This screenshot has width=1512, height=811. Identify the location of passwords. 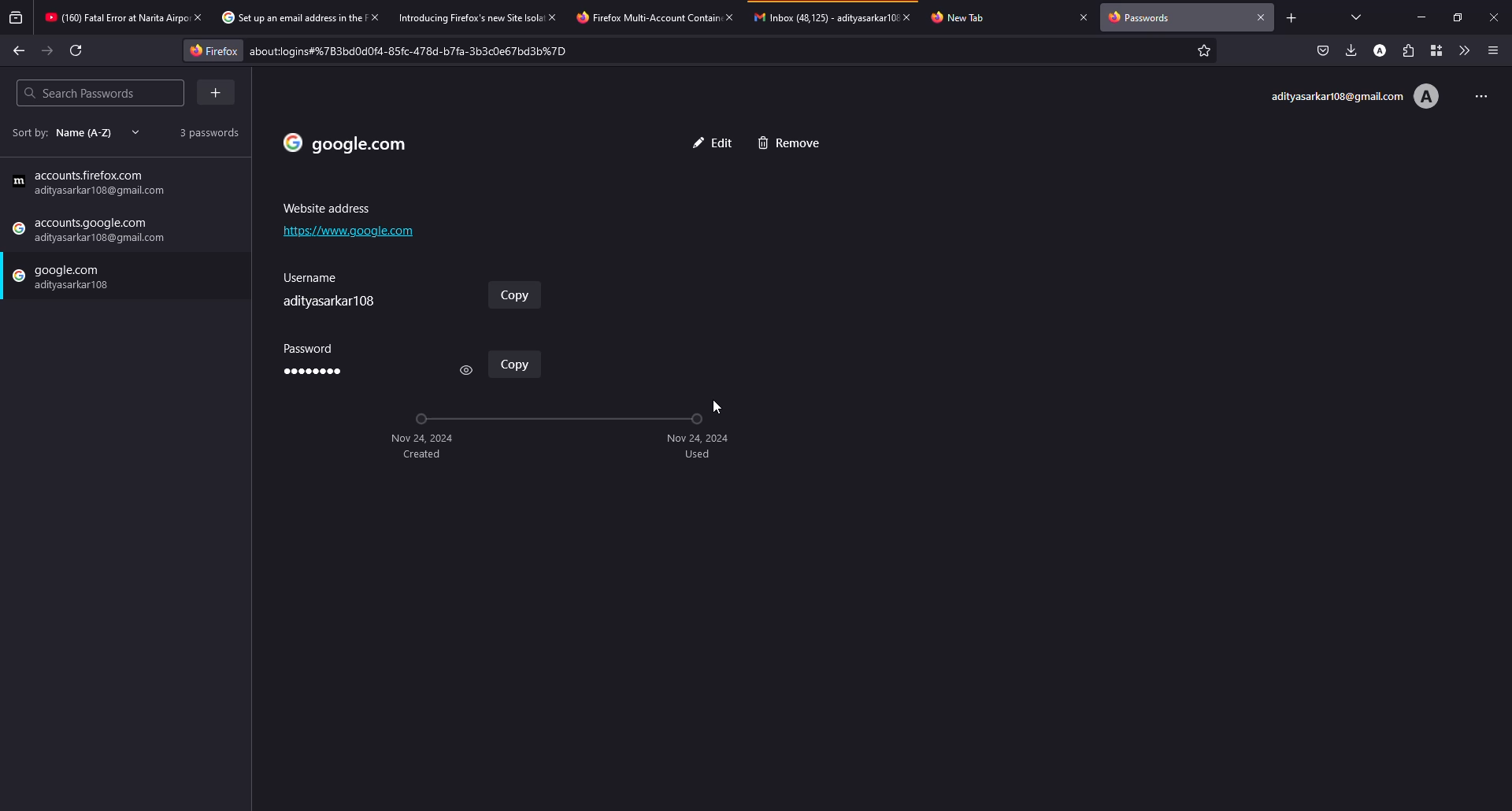
(1143, 19).